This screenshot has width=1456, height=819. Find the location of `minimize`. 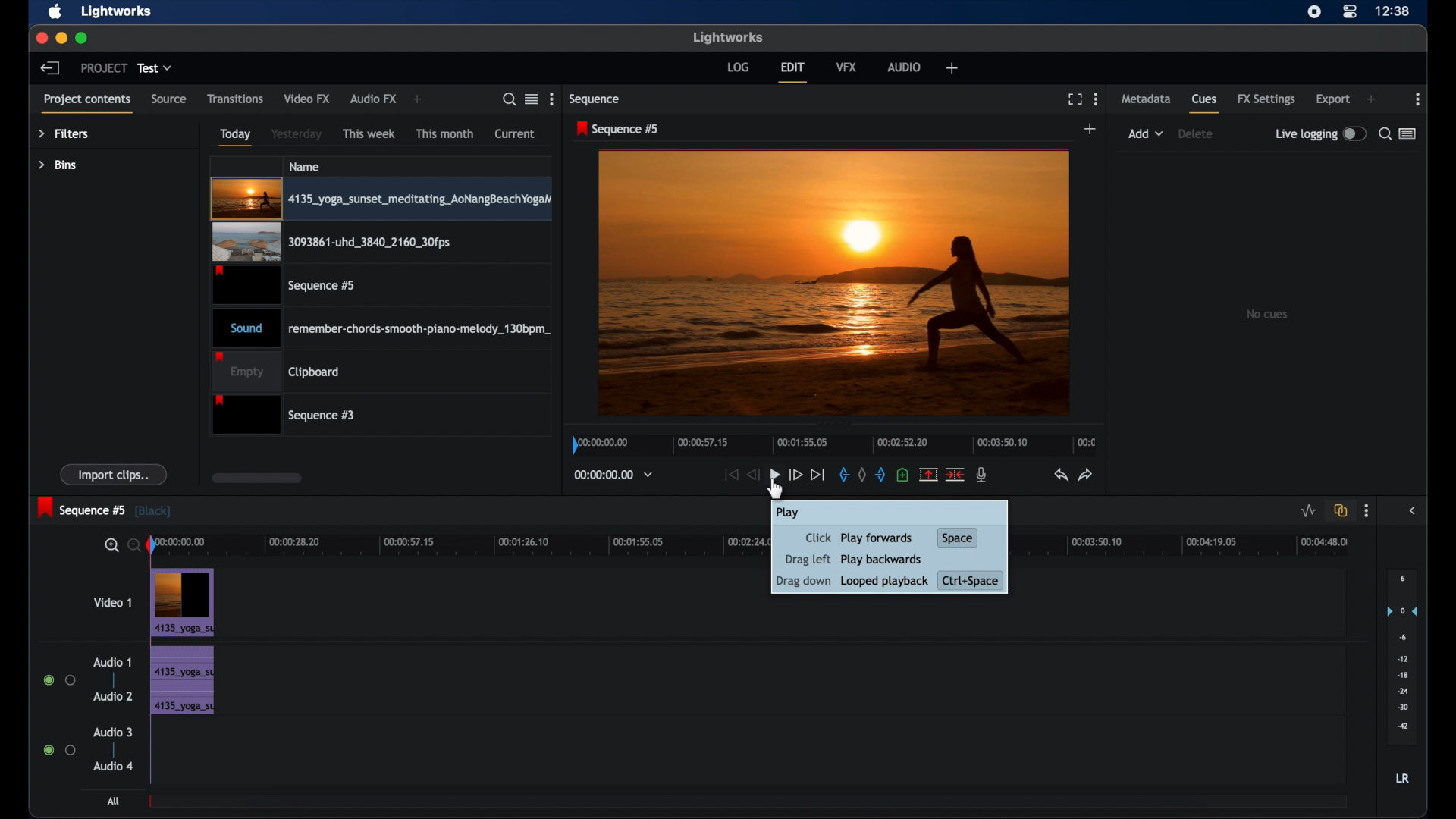

minimize is located at coordinates (62, 38).